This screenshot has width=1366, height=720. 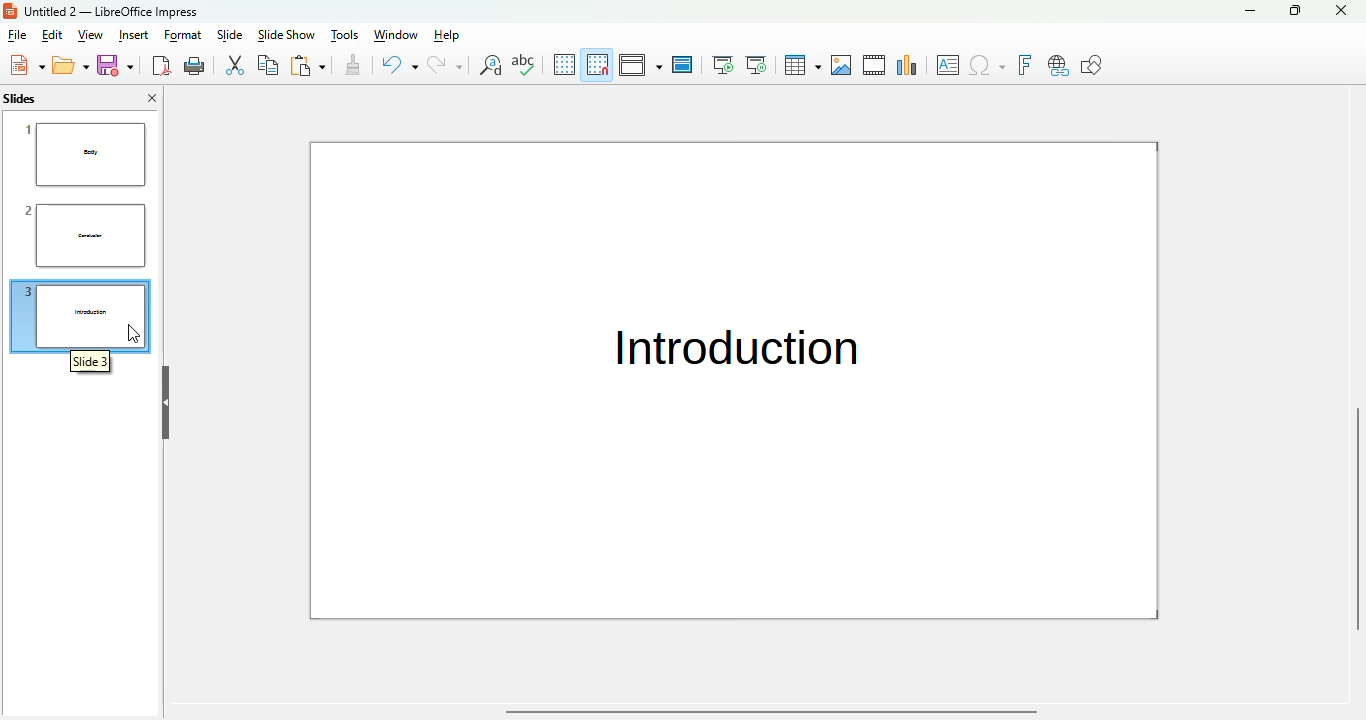 I want to click on vertical scroll bar, so click(x=1356, y=519).